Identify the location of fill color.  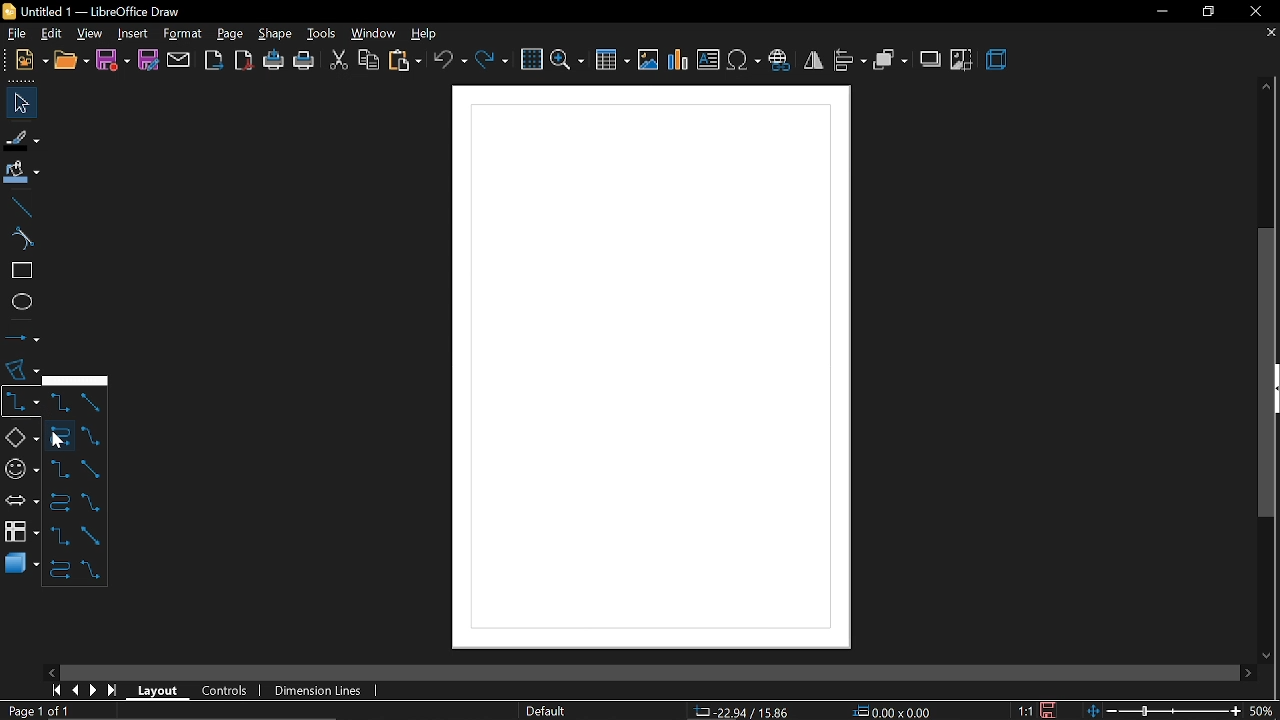
(22, 173).